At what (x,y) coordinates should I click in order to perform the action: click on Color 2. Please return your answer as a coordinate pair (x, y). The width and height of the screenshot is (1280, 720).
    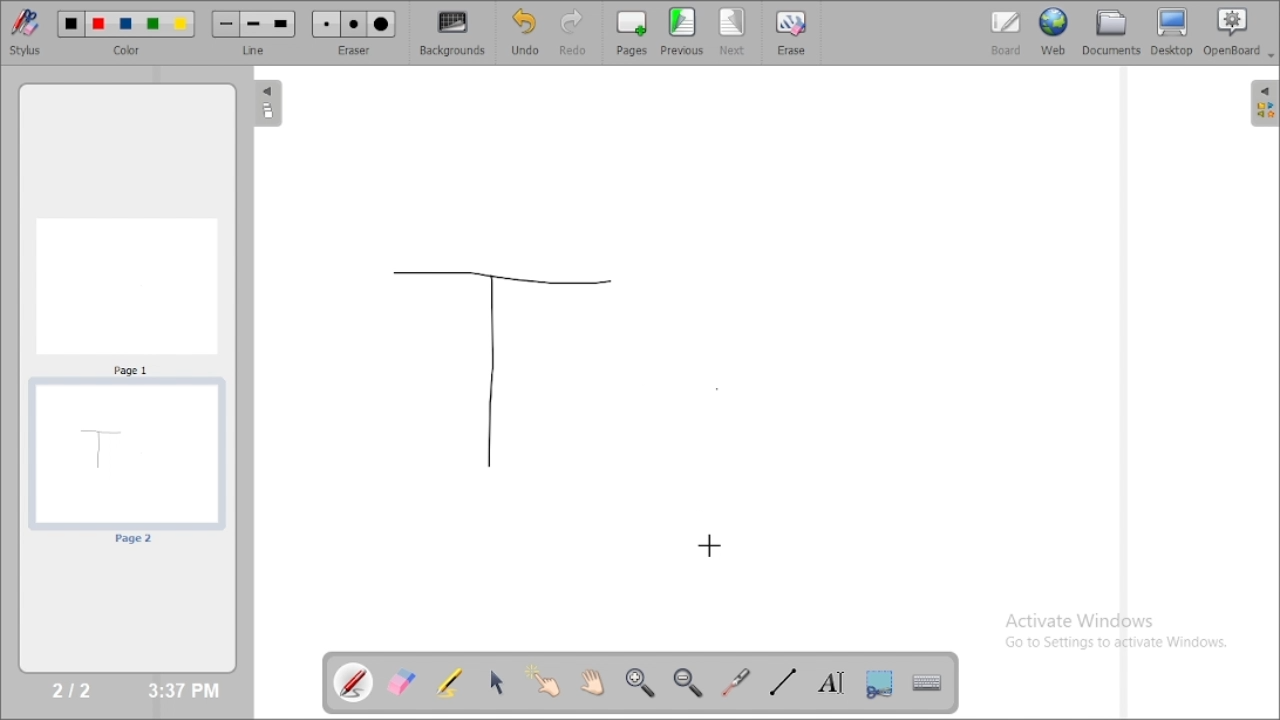
    Looking at the image, I should click on (99, 25).